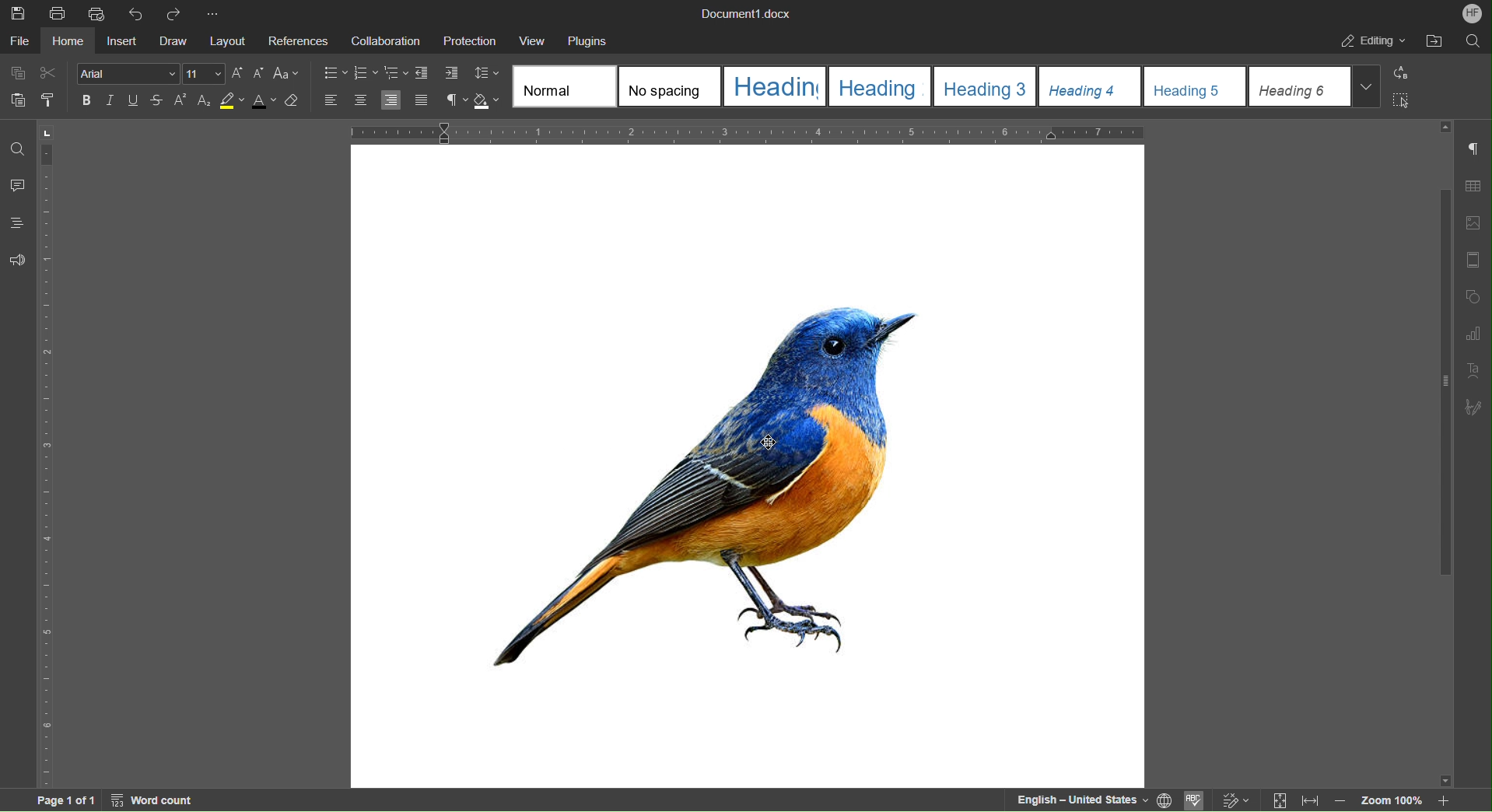 This screenshot has height=812, width=1492. I want to click on Drop Down, so click(1366, 86).